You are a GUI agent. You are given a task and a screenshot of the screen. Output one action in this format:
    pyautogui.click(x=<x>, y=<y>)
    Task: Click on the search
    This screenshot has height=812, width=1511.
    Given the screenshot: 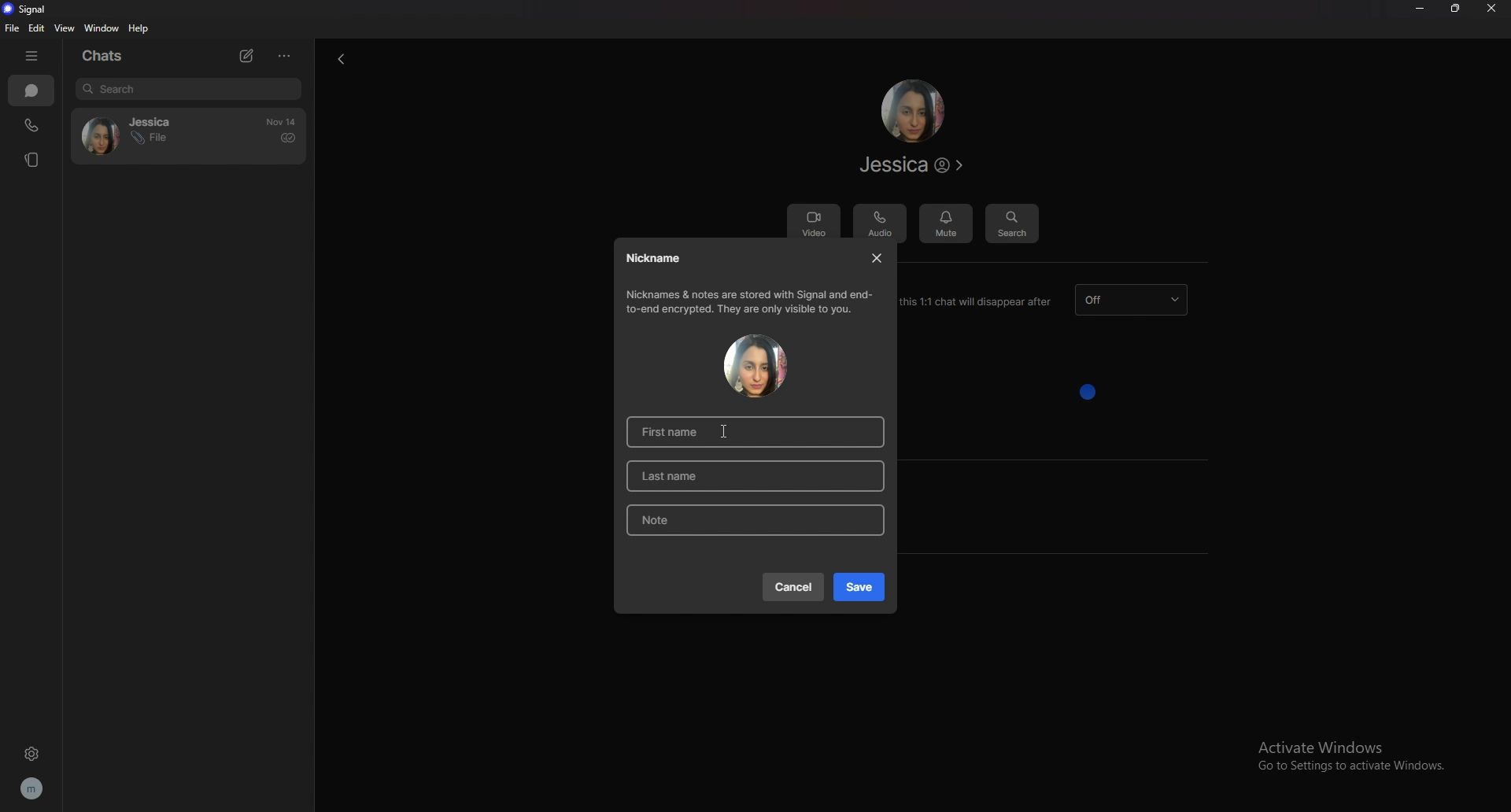 What is the action you would take?
    pyautogui.click(x=190, y=89)
    